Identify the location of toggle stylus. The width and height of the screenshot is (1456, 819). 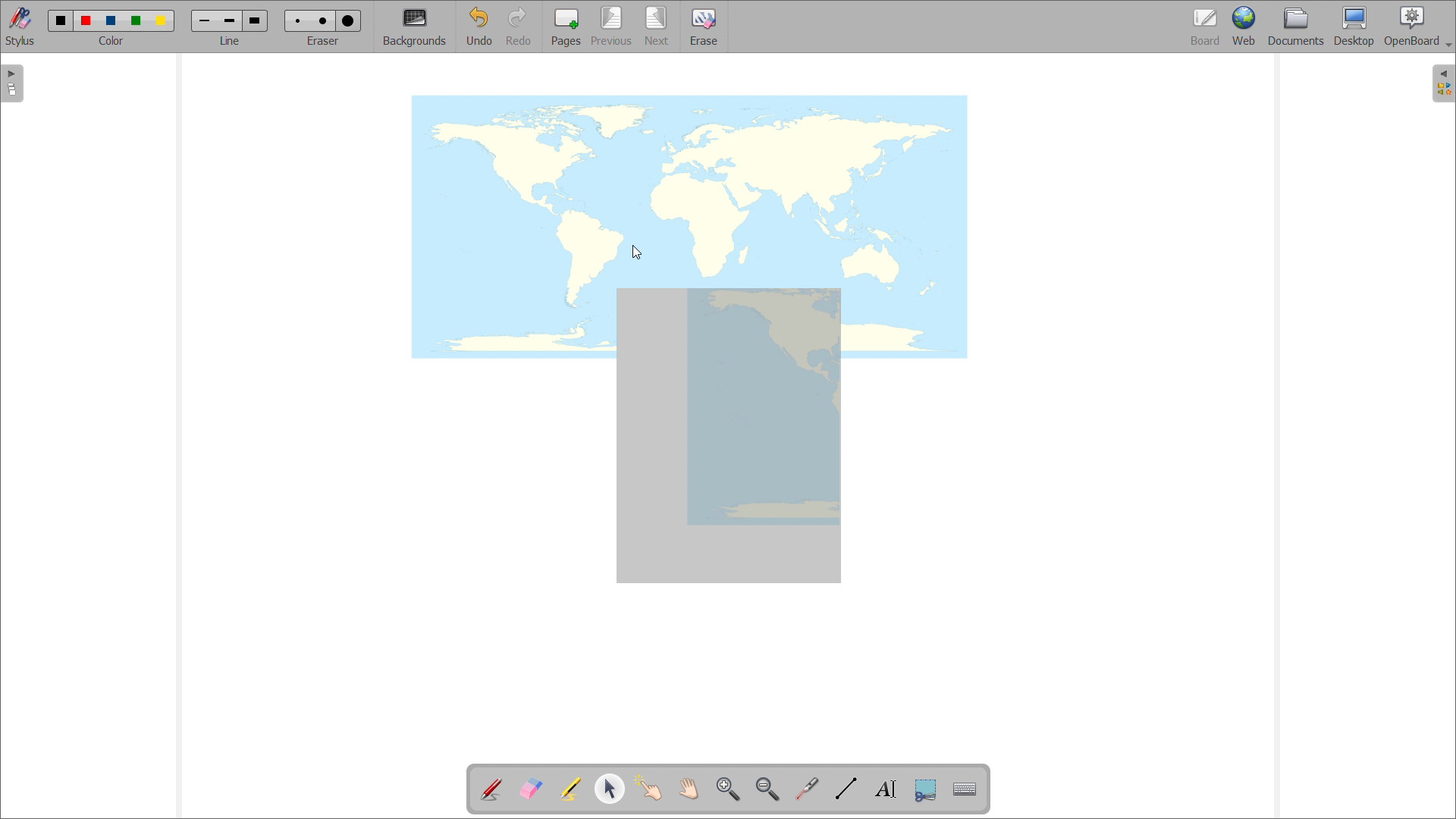
(22, 27).